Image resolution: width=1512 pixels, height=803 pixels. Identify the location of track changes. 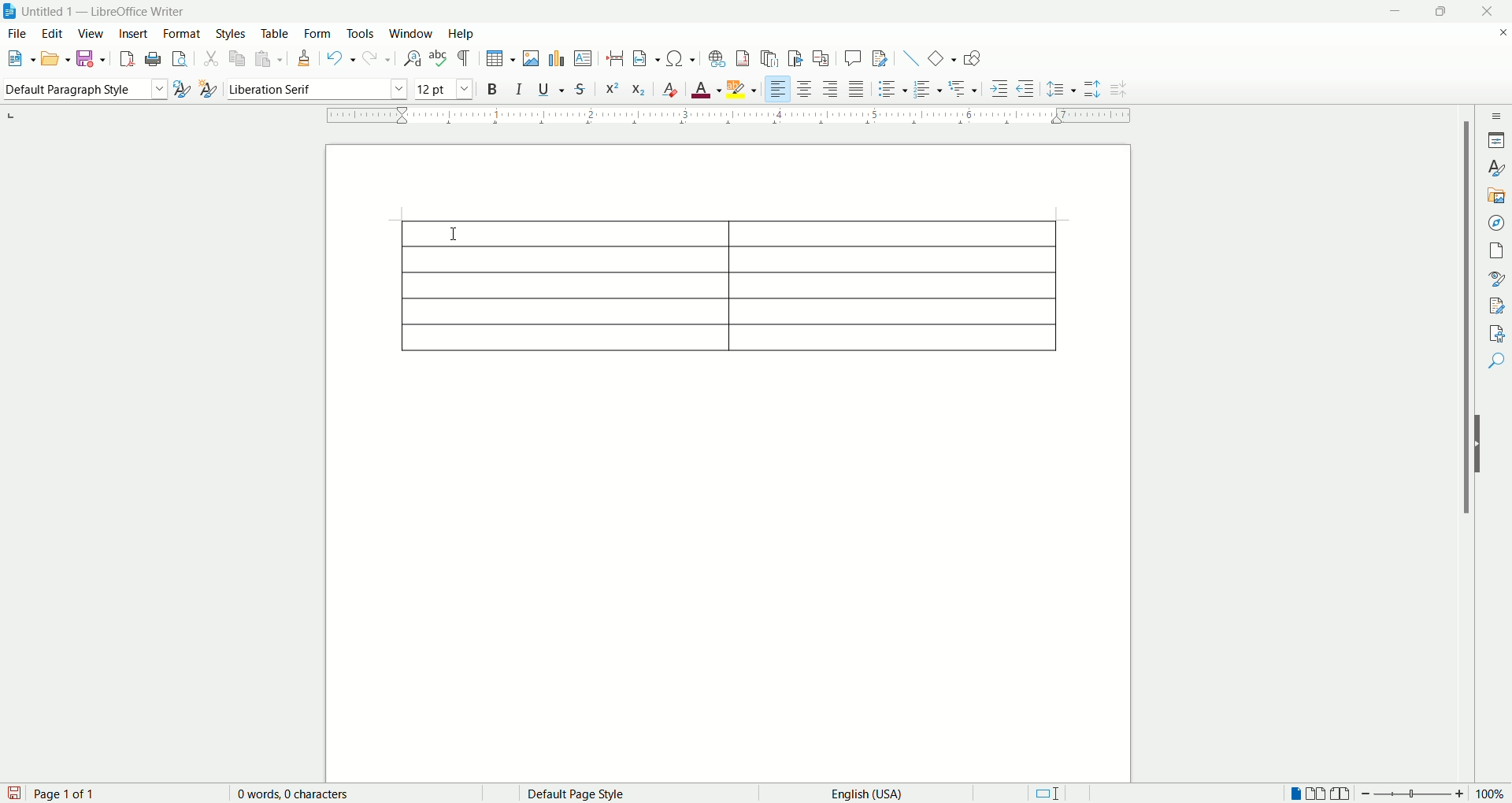
(881, 57).